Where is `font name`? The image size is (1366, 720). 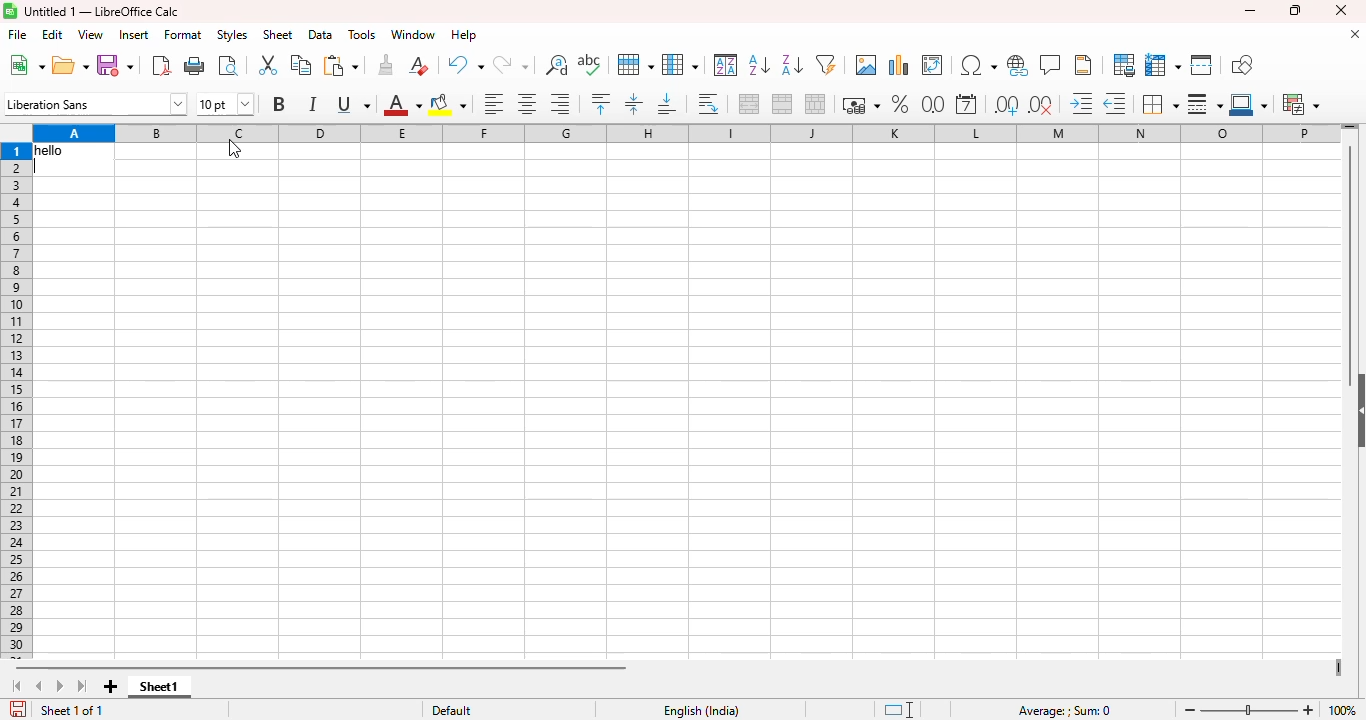 font name is located at coordinates (95, 103).